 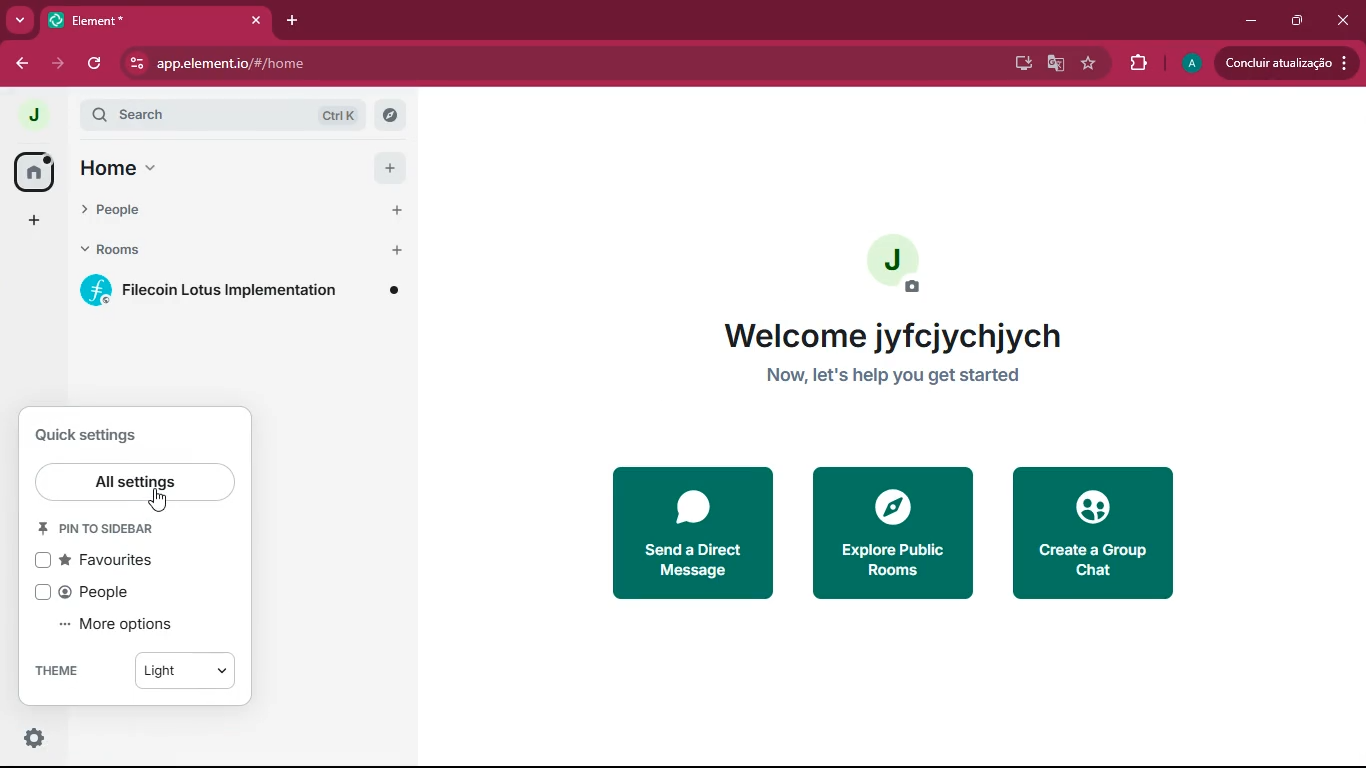 I want to click on google translate, so click(x=1054, y=65).